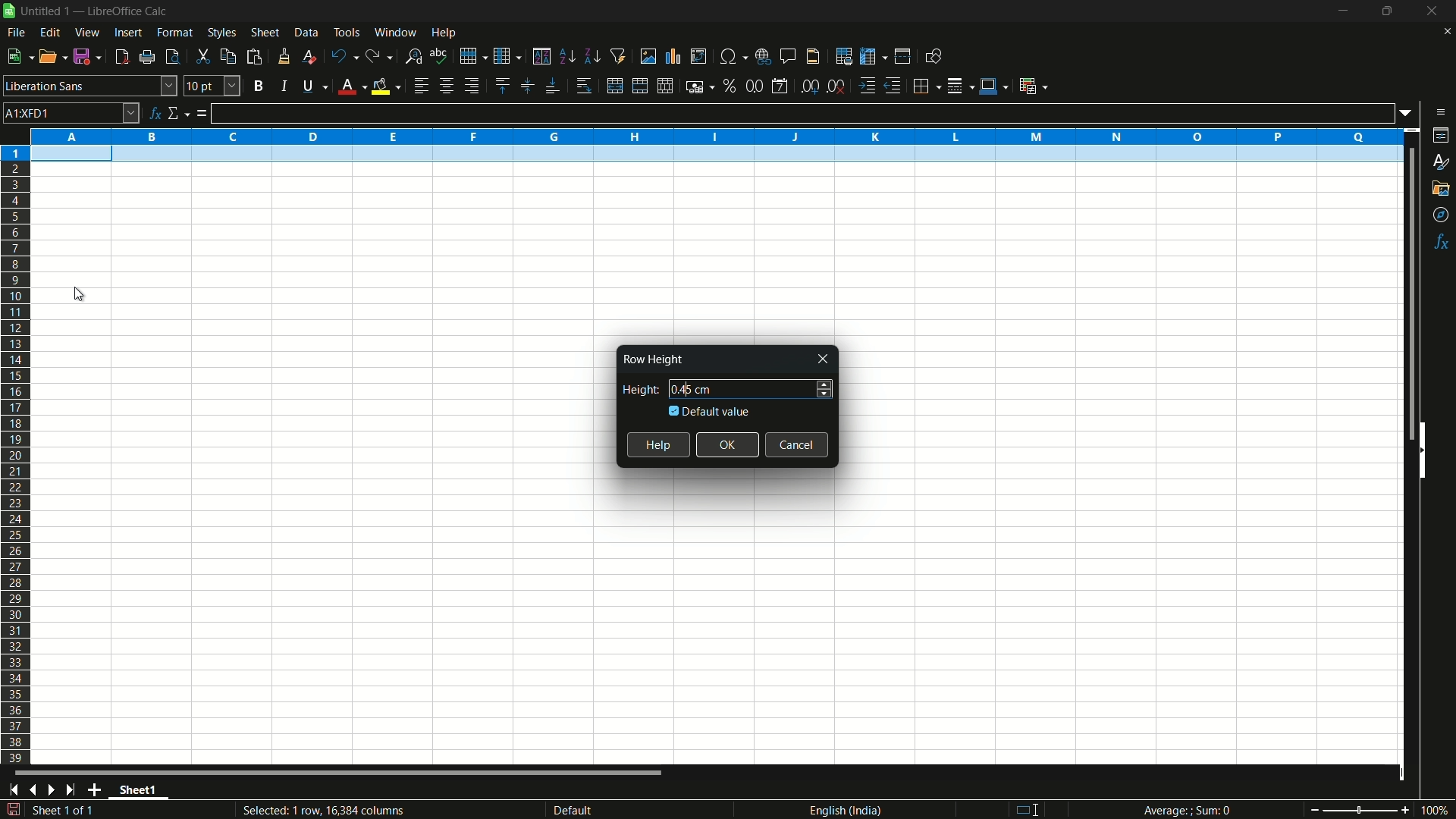 Image resolution: width=1456 pixels, height=819 pixels. I want to click on freeze rows and columns, so click(872, 57).